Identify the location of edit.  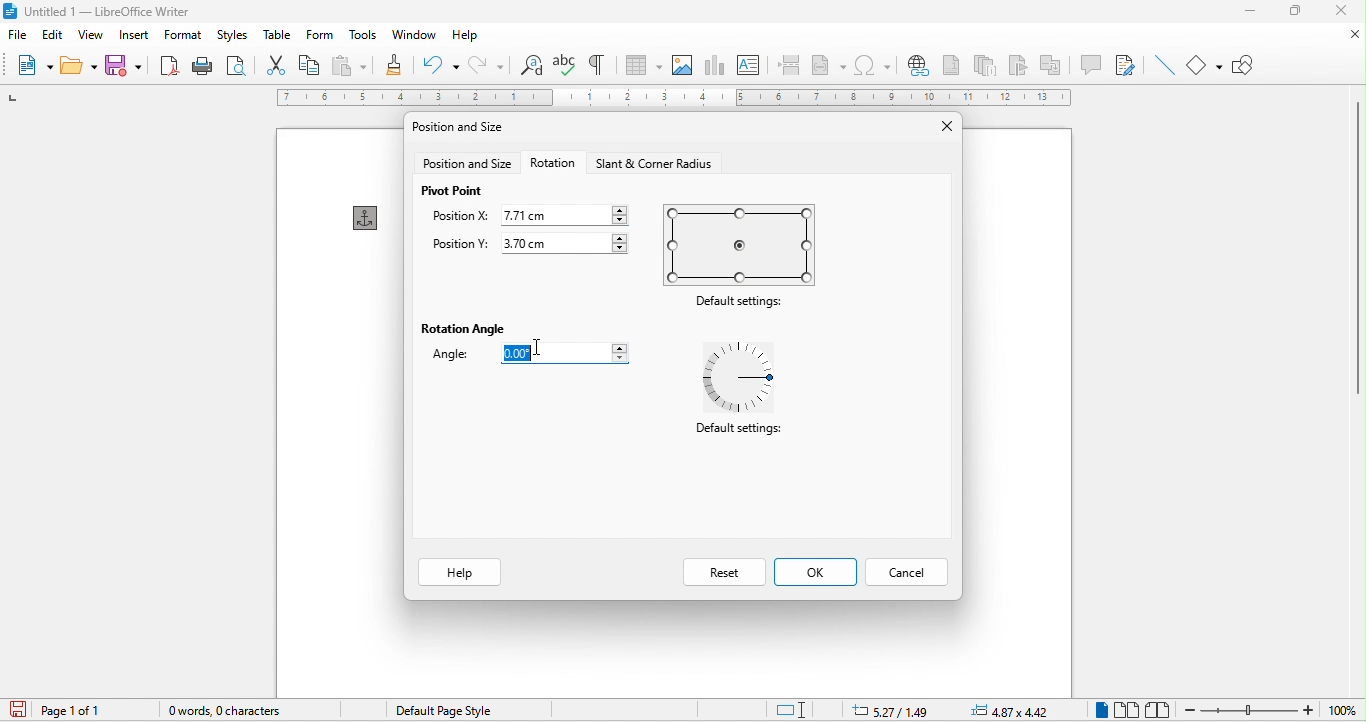
(55, 35).